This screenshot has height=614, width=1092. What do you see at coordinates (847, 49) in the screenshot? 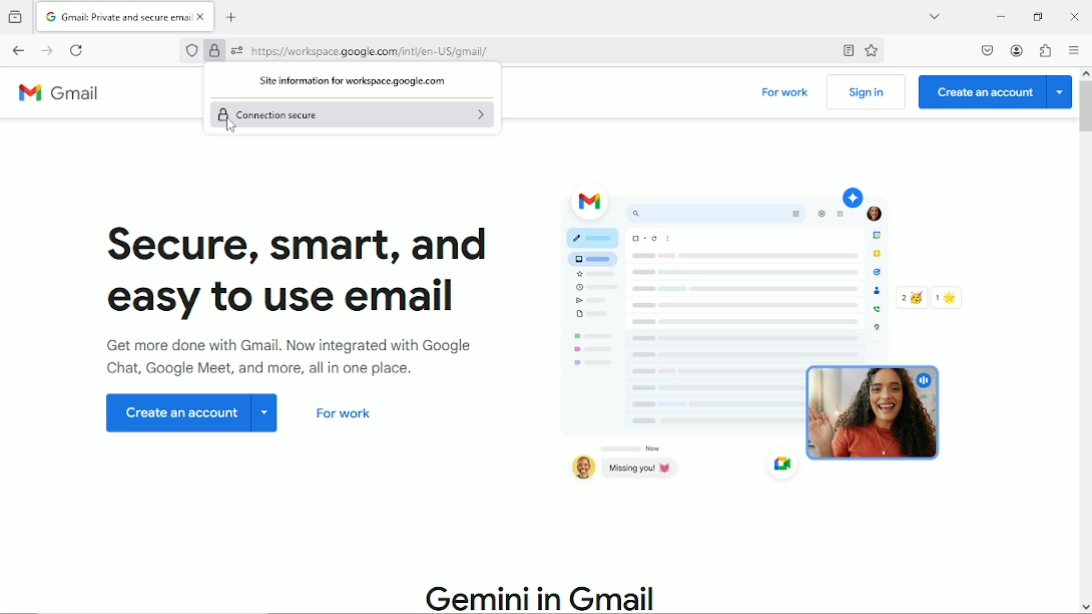
I see `Toggle reader view` at bounding box center [847, 49].